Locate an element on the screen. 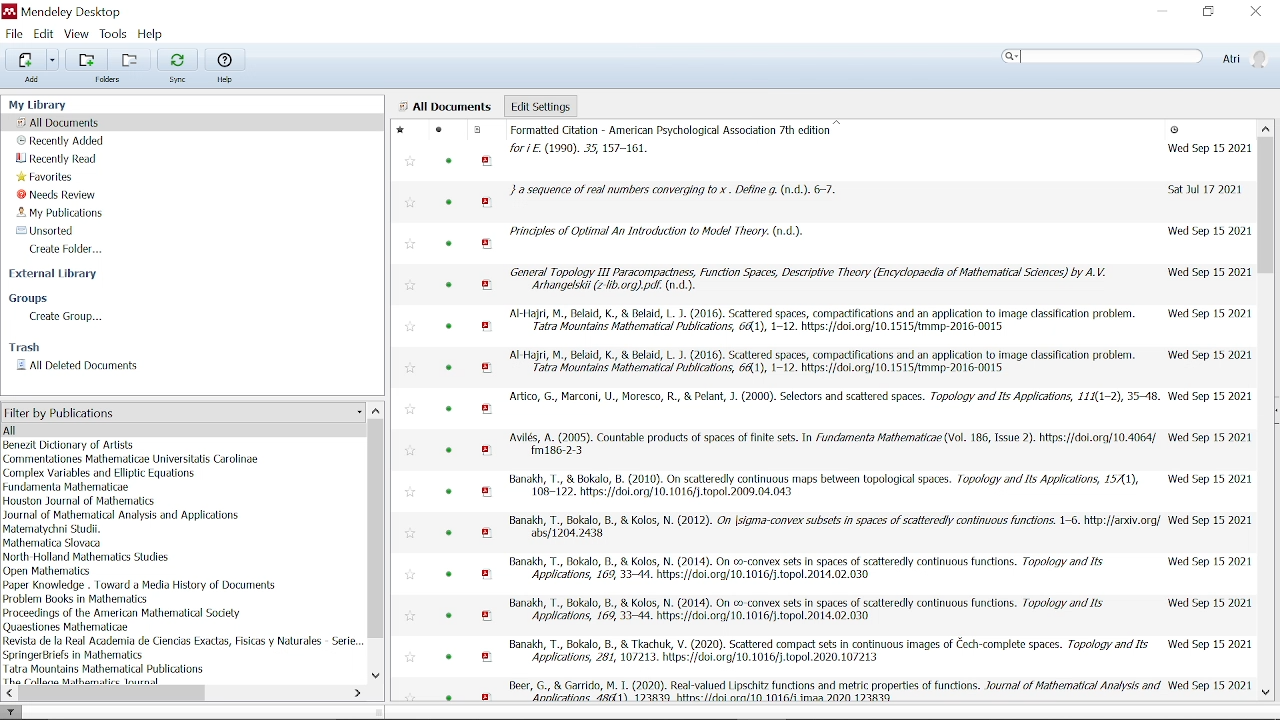  Date time is located at coordinates (1206, 148).